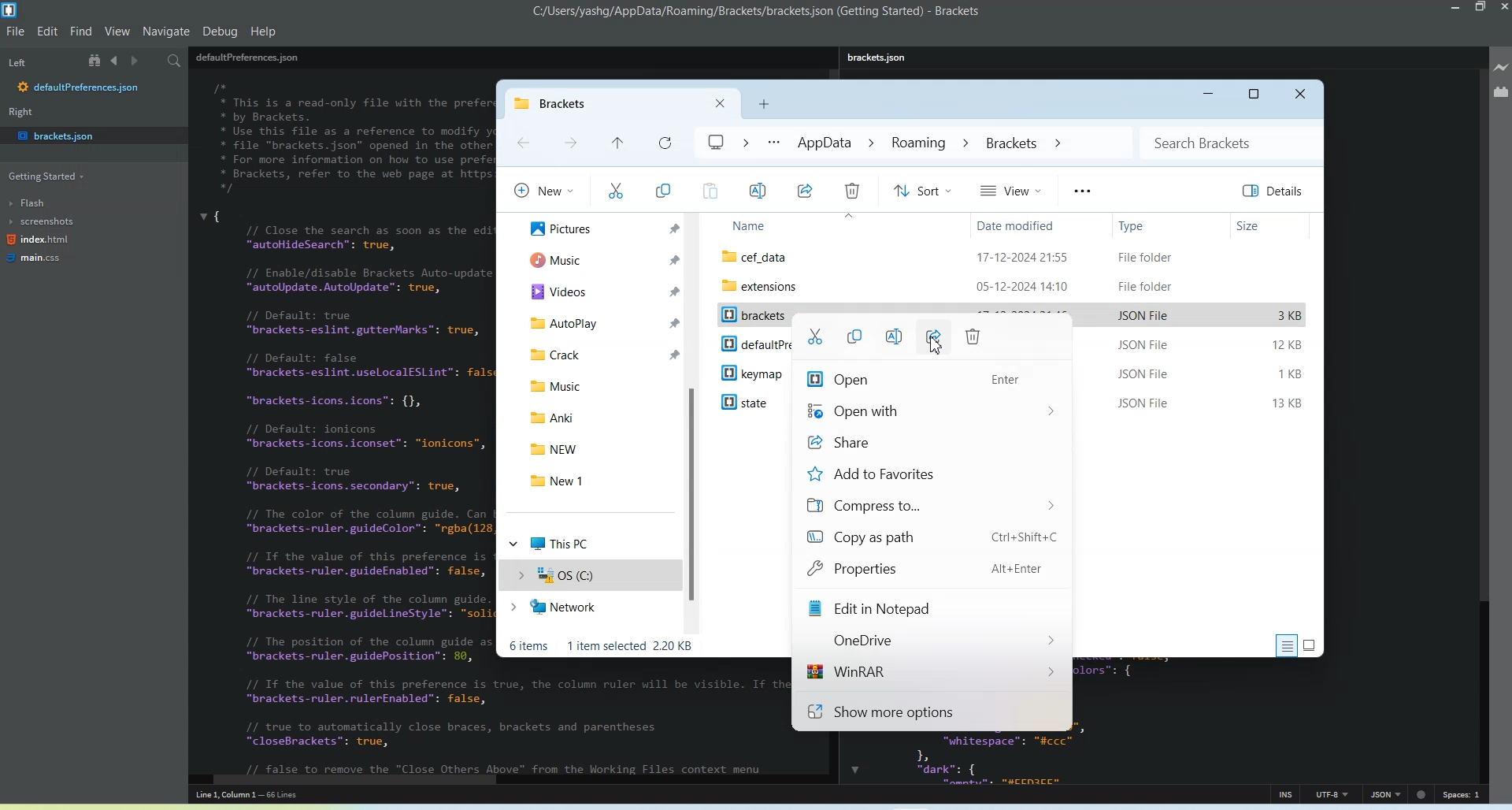  I want to click on Maximize, so click(1481, 8).